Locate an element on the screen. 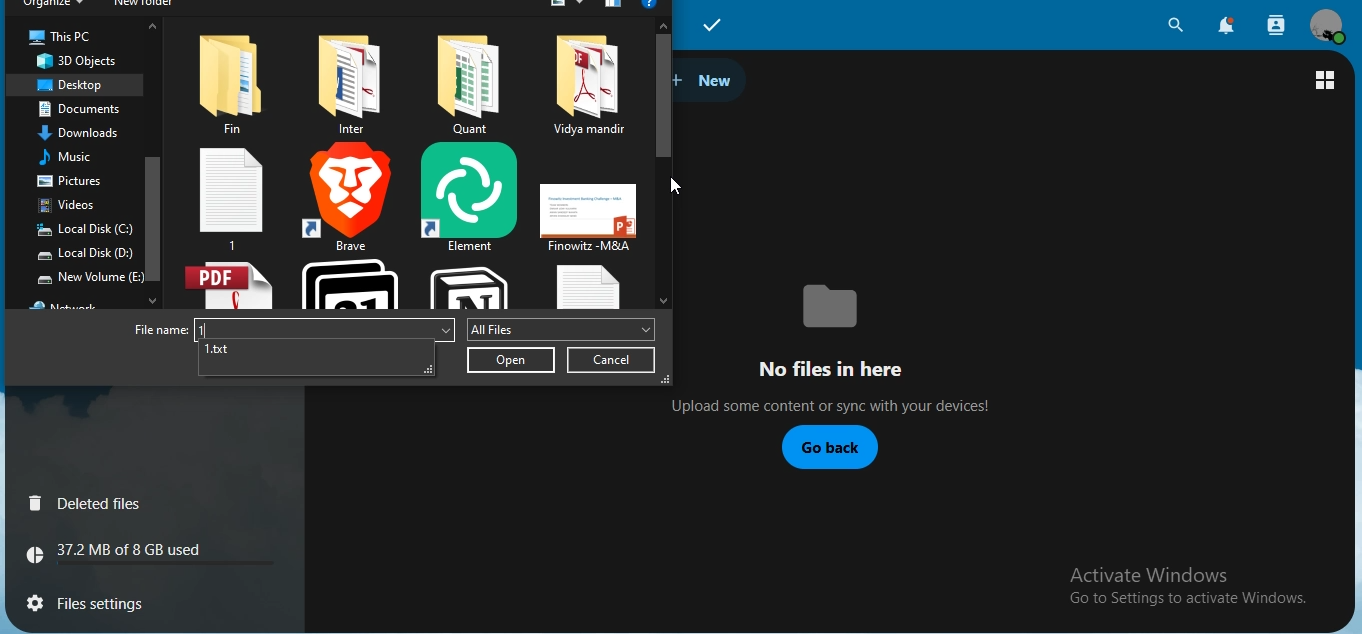  new volume E is located at coordinates (89, 276).